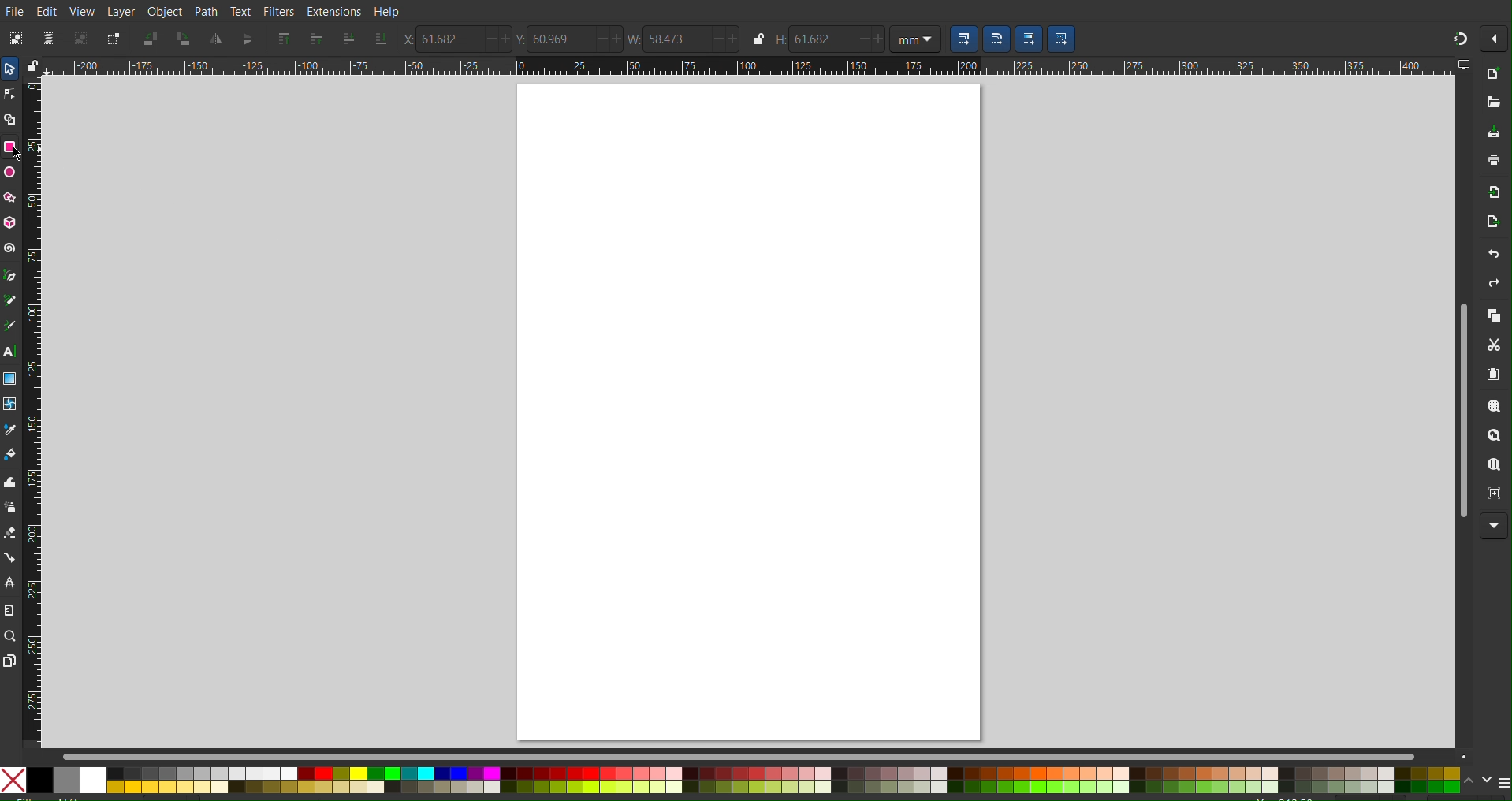 Image resolution: width=1512 pixels, height=801 pixels. Describe the element at coordinates (165, 11) in the screenshot. I see `Object` at that location.